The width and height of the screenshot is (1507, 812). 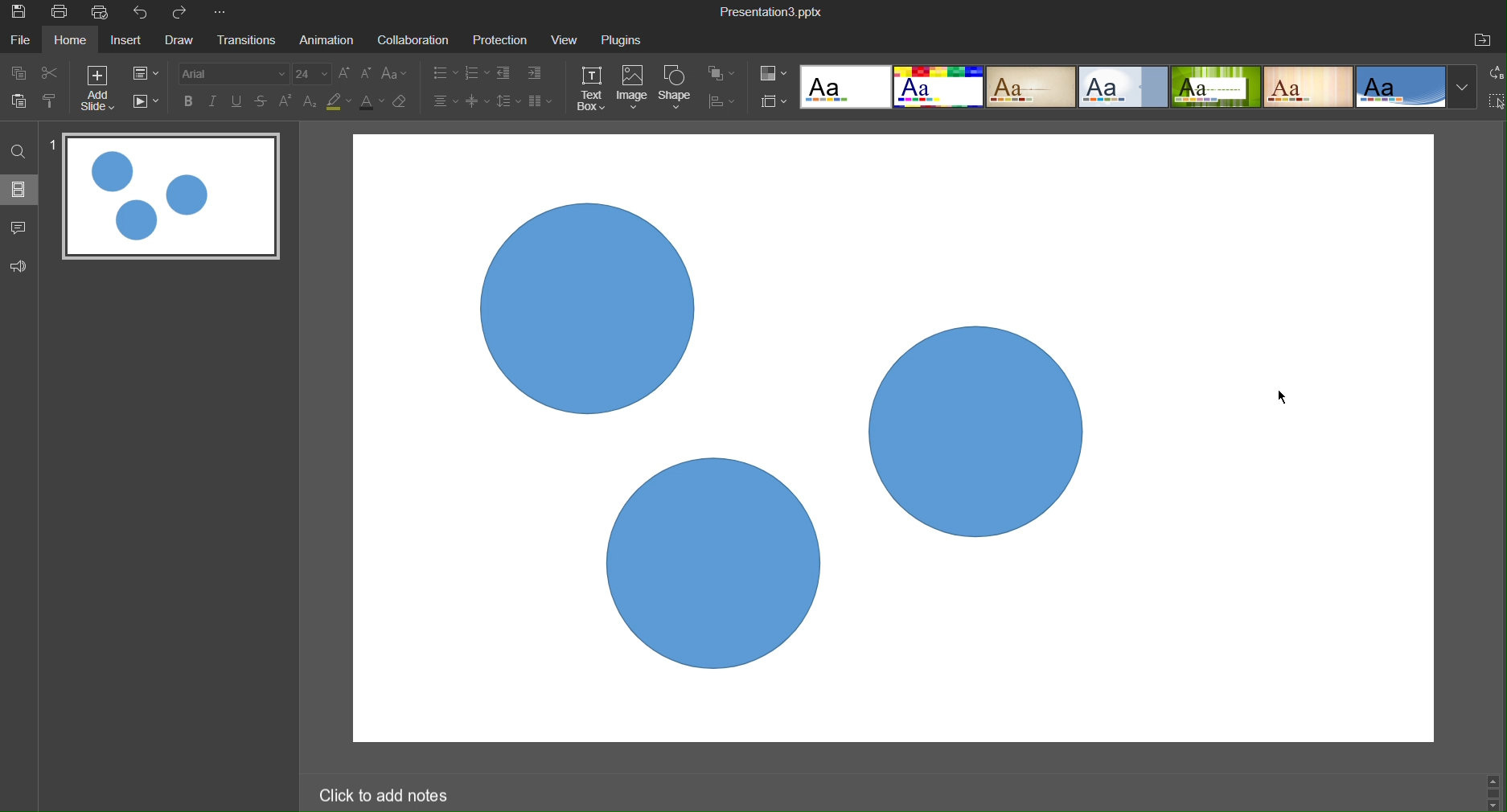 What do you see at coordinates (1485, 39) in the screenshot?
I see `Open File Location` at bounding box center [1485, 39].